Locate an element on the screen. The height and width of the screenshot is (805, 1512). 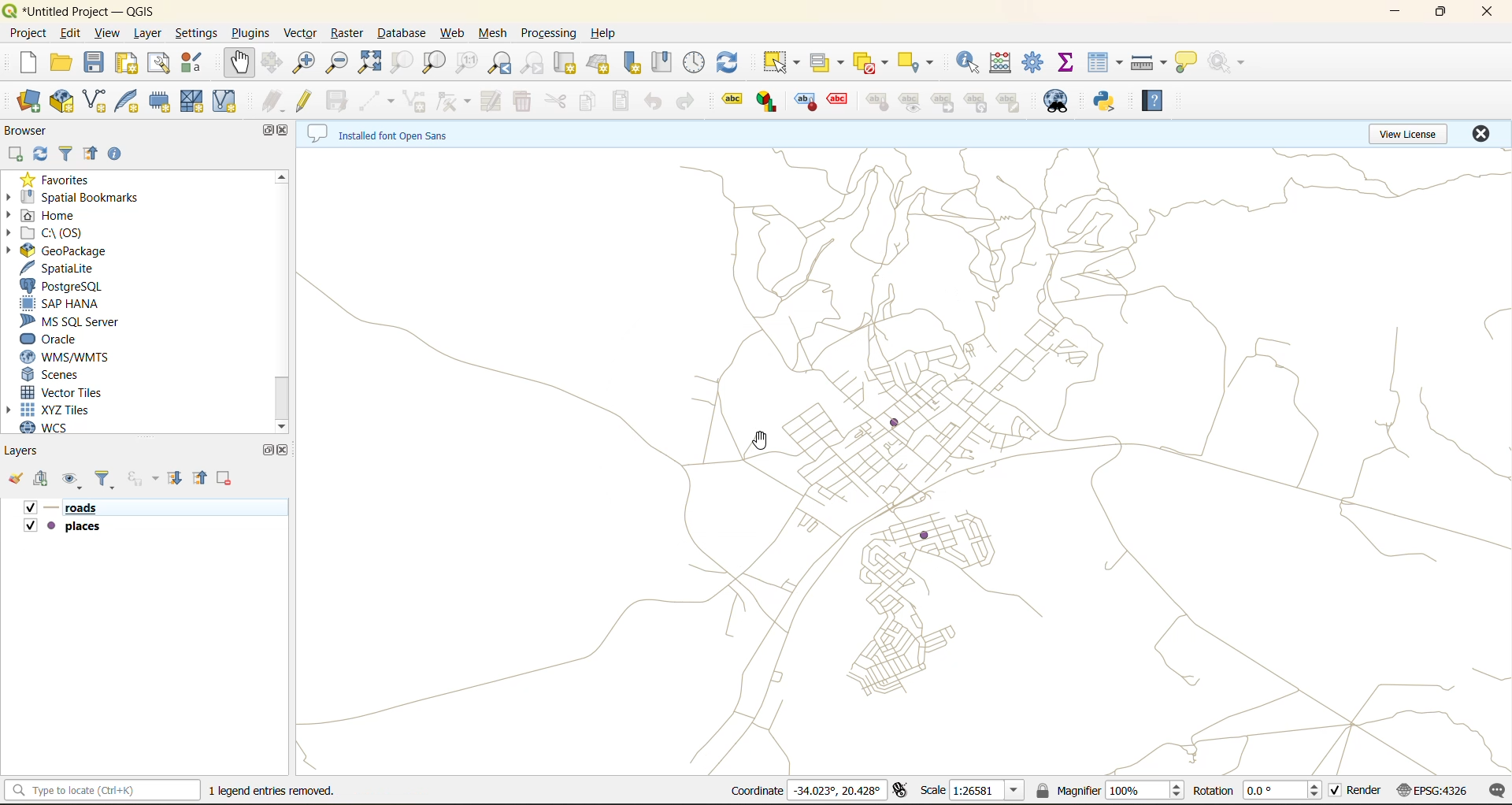
delete is located at coordinates (519, 101).